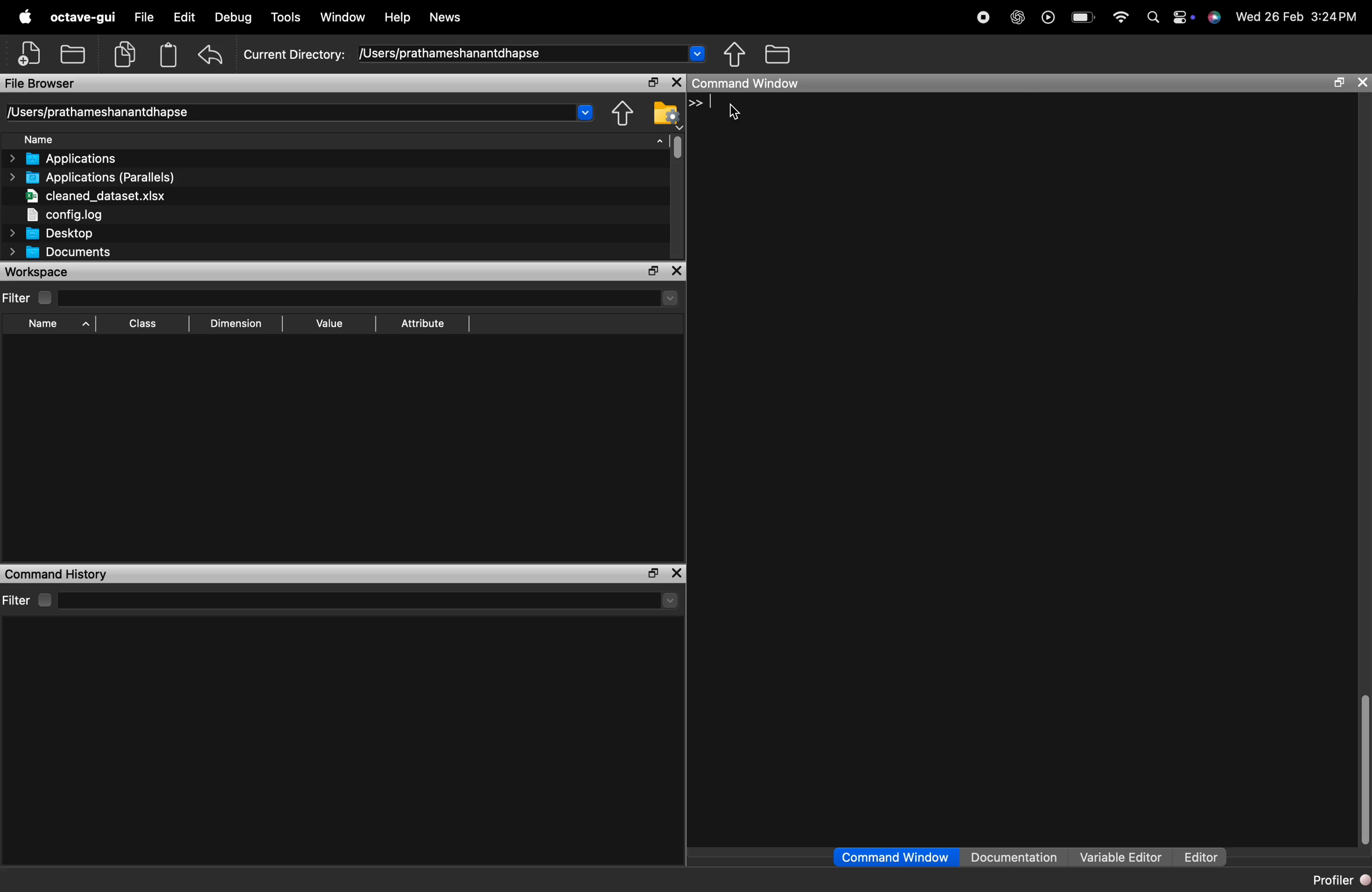  I want to click on Copy, so click(126, 53).